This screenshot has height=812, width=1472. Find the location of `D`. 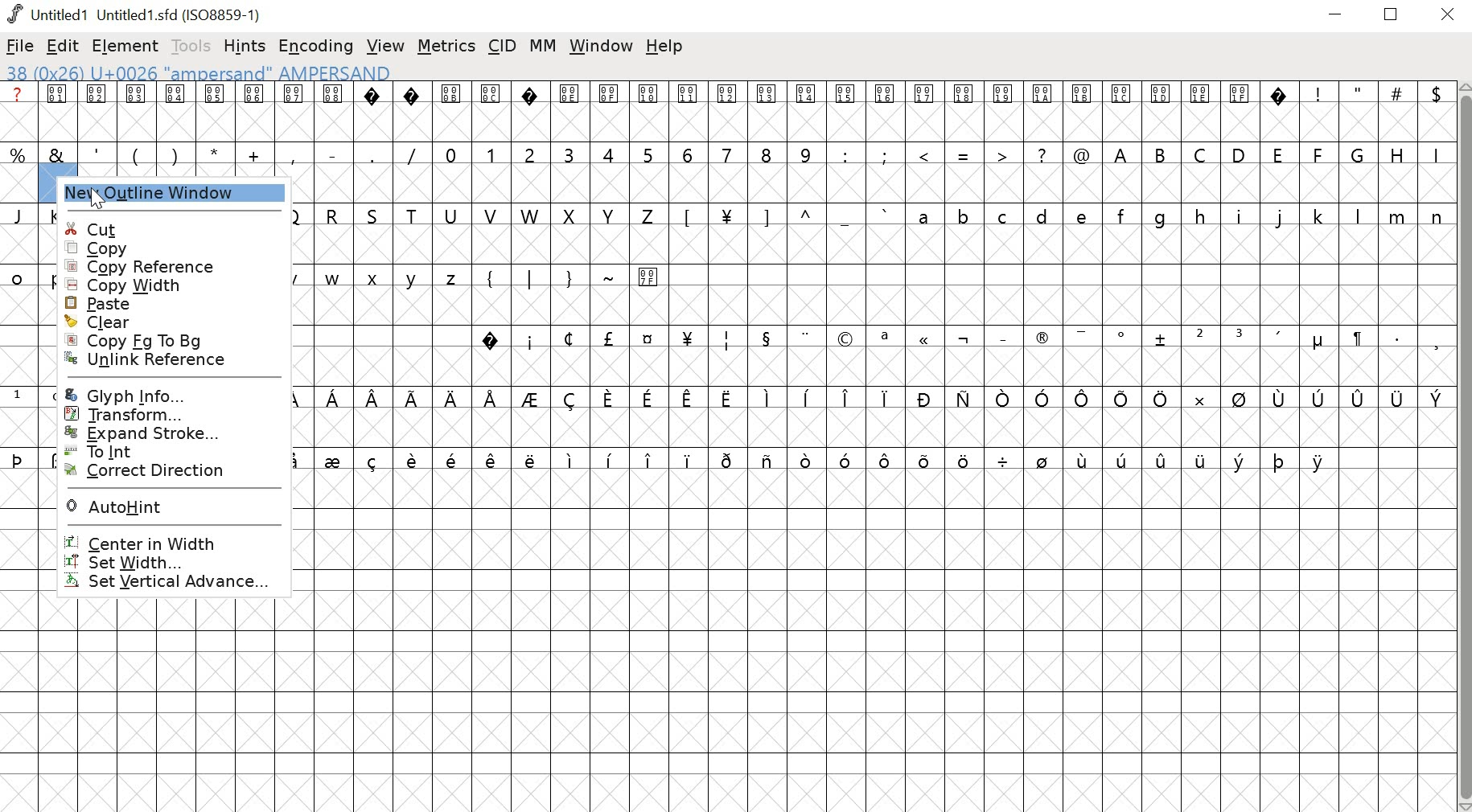

D is located at coordinates (1240, 154).